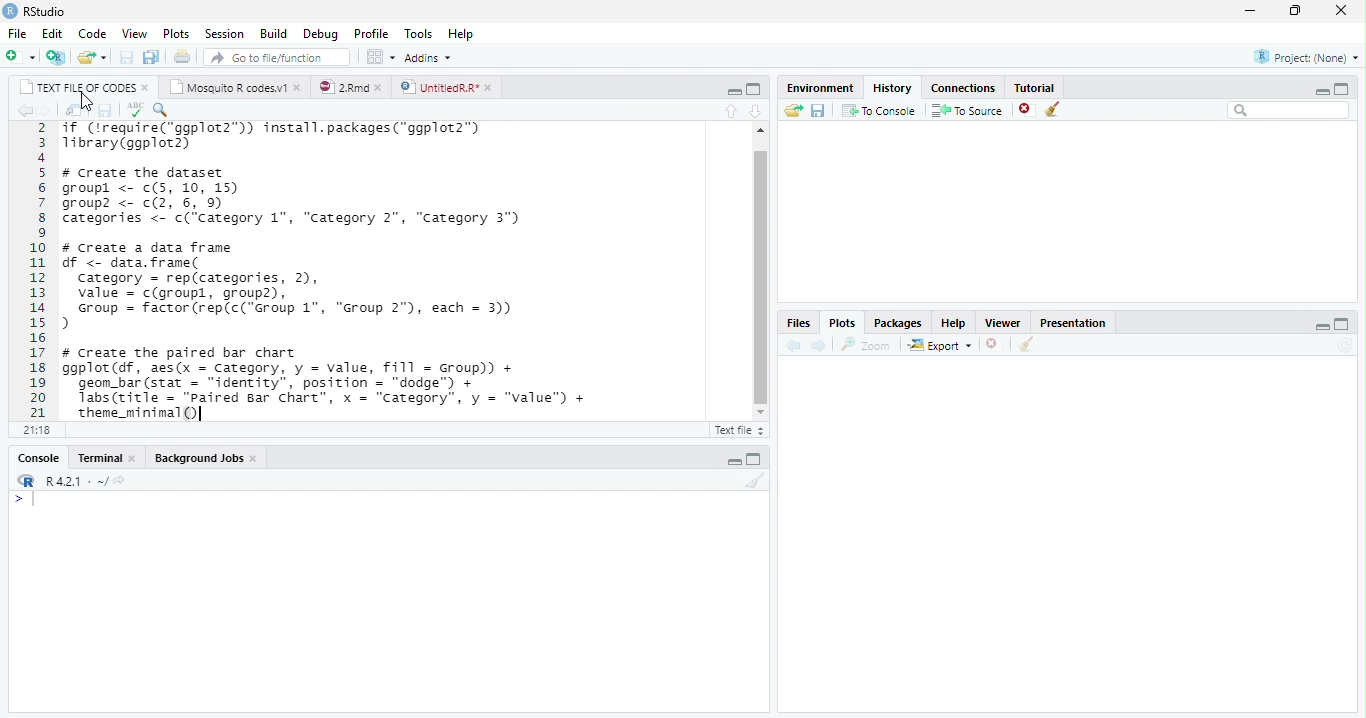 This screenshot has height=718, width=1366. What do you see at coordinates (26, 480) in the screenshot?
I see `logo` at bounding box center [26, 480].